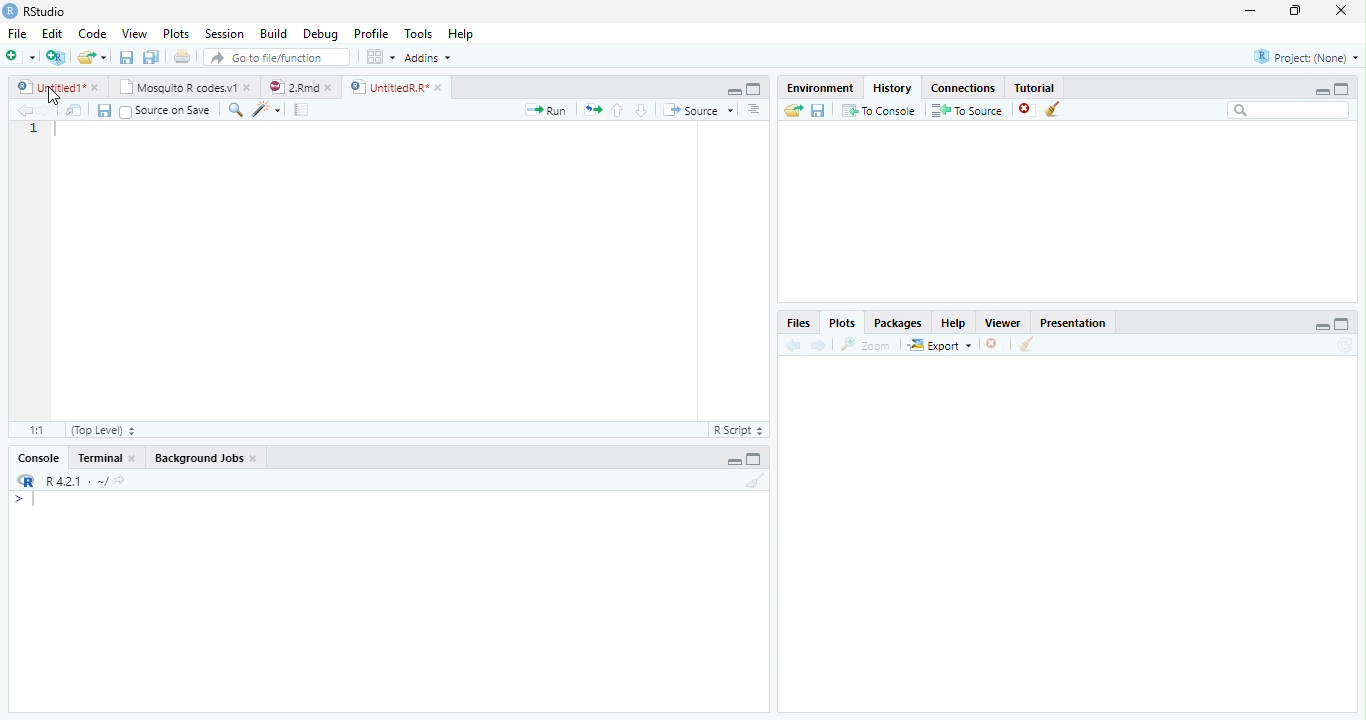 This screenshot has width=1366, height=720. What do you see at coordinates (106, 111) in the screenshot?
I see `Save ` at bounding box center [106, 111].